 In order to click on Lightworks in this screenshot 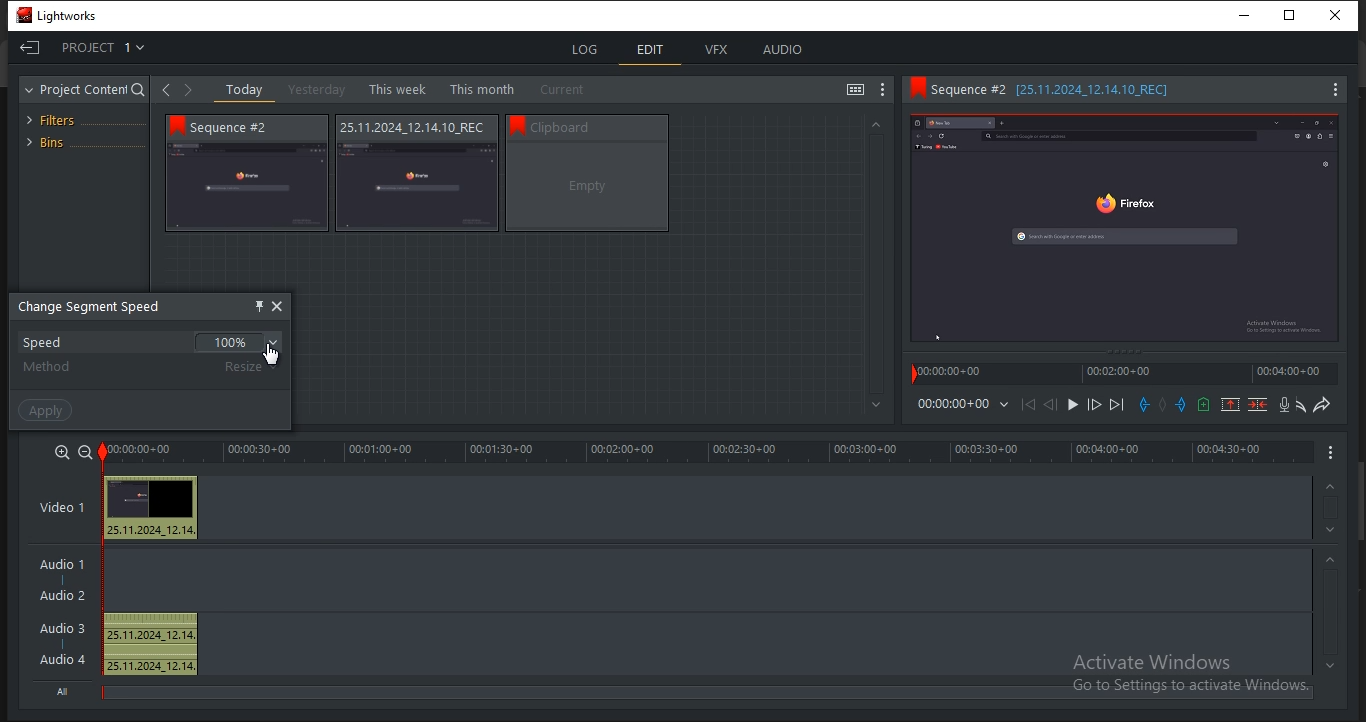, I will do `click(62, 15)`.